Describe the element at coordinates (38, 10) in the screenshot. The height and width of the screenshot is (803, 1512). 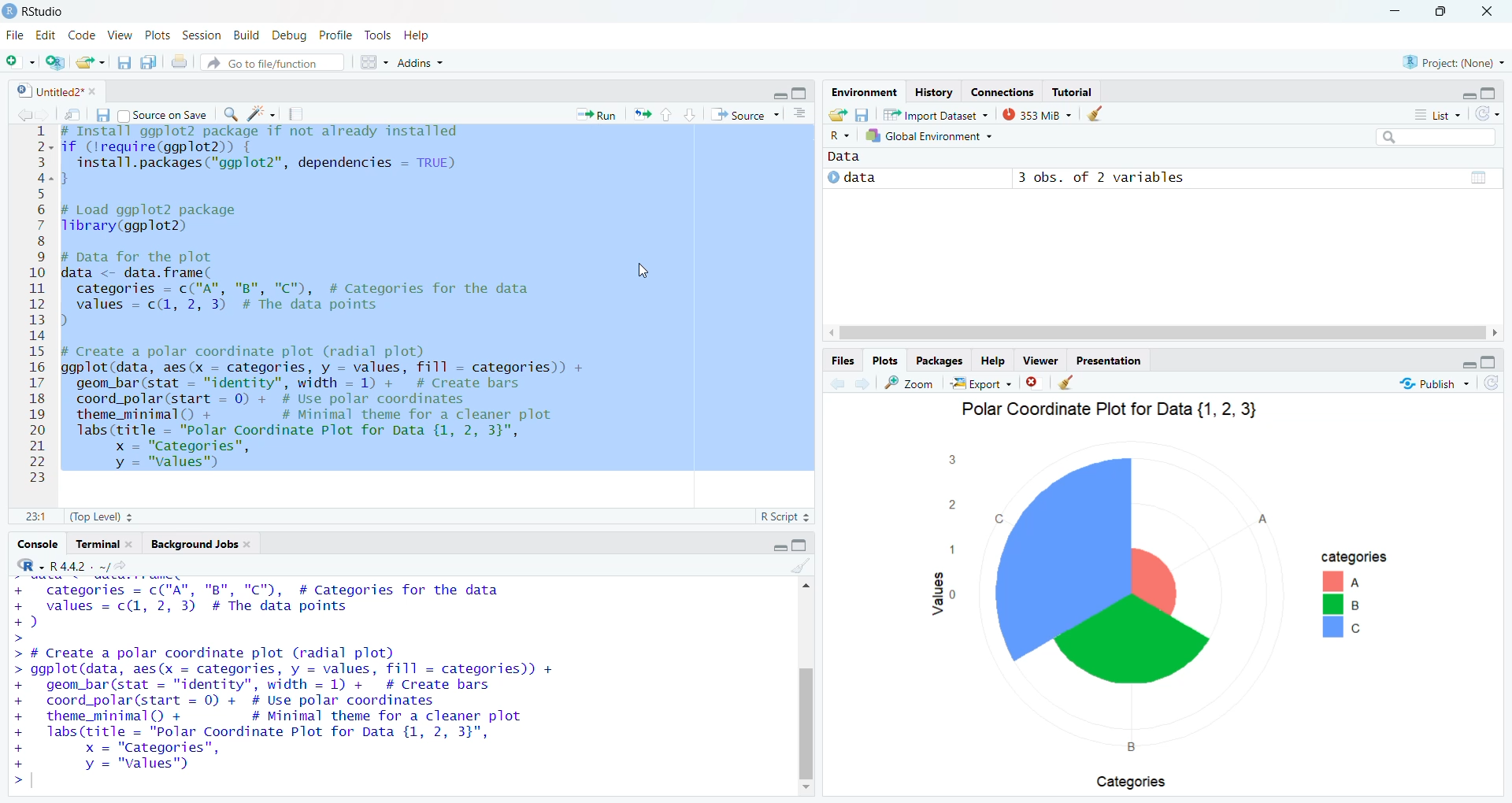
I see ` RStudio` at that location.